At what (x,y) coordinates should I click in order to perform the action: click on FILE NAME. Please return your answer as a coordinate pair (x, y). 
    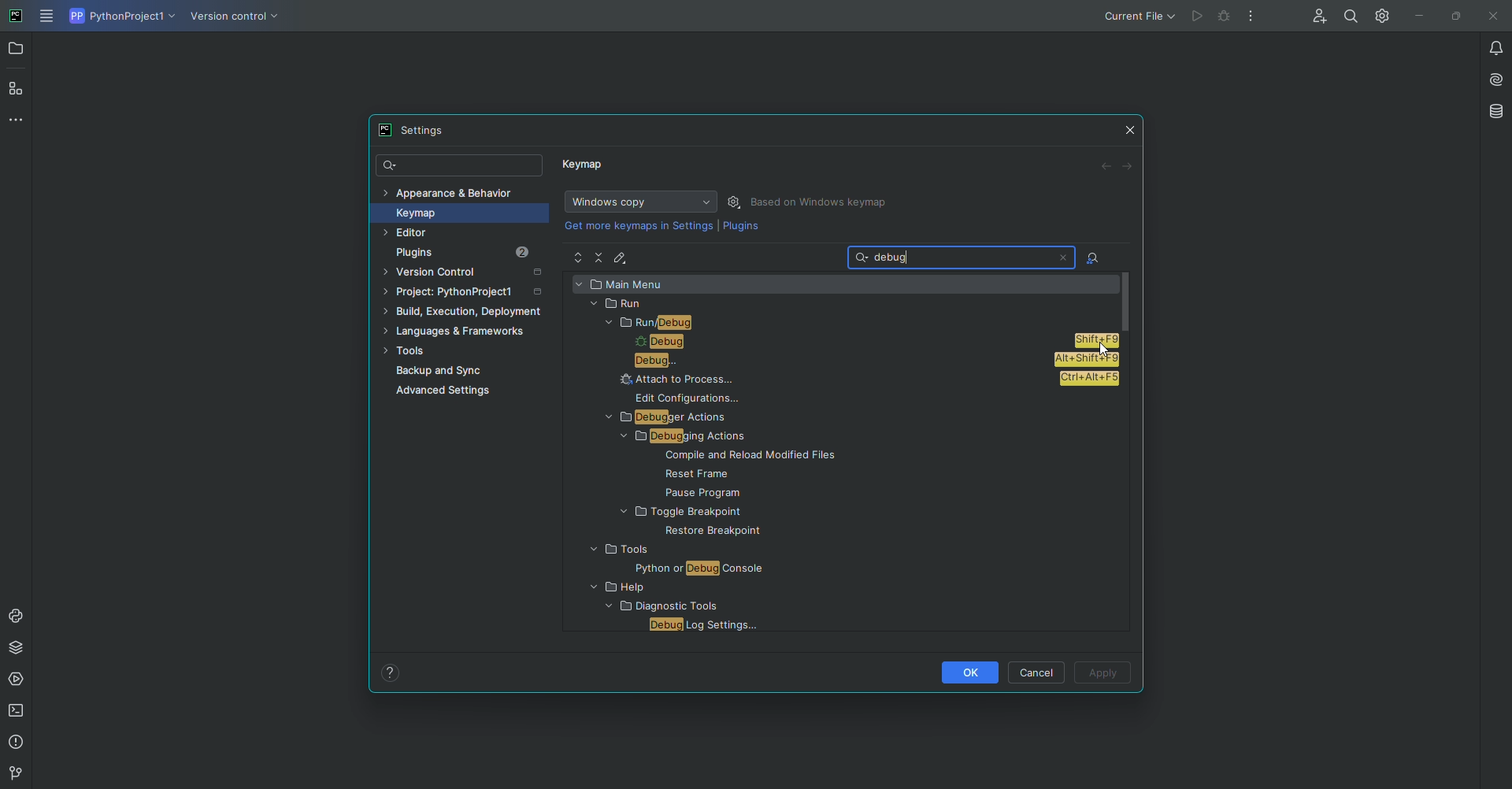
    Looking at the image, I should click on (700, 625).